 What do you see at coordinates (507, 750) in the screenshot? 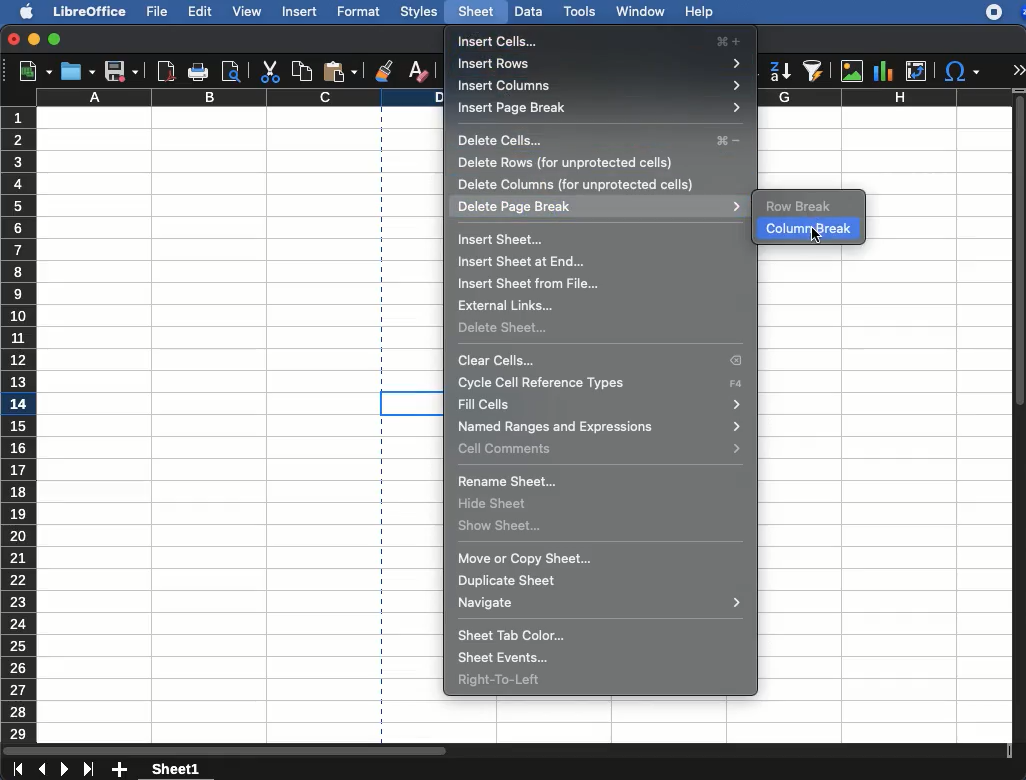
I see `scroll` at bounding box center [507, 750].